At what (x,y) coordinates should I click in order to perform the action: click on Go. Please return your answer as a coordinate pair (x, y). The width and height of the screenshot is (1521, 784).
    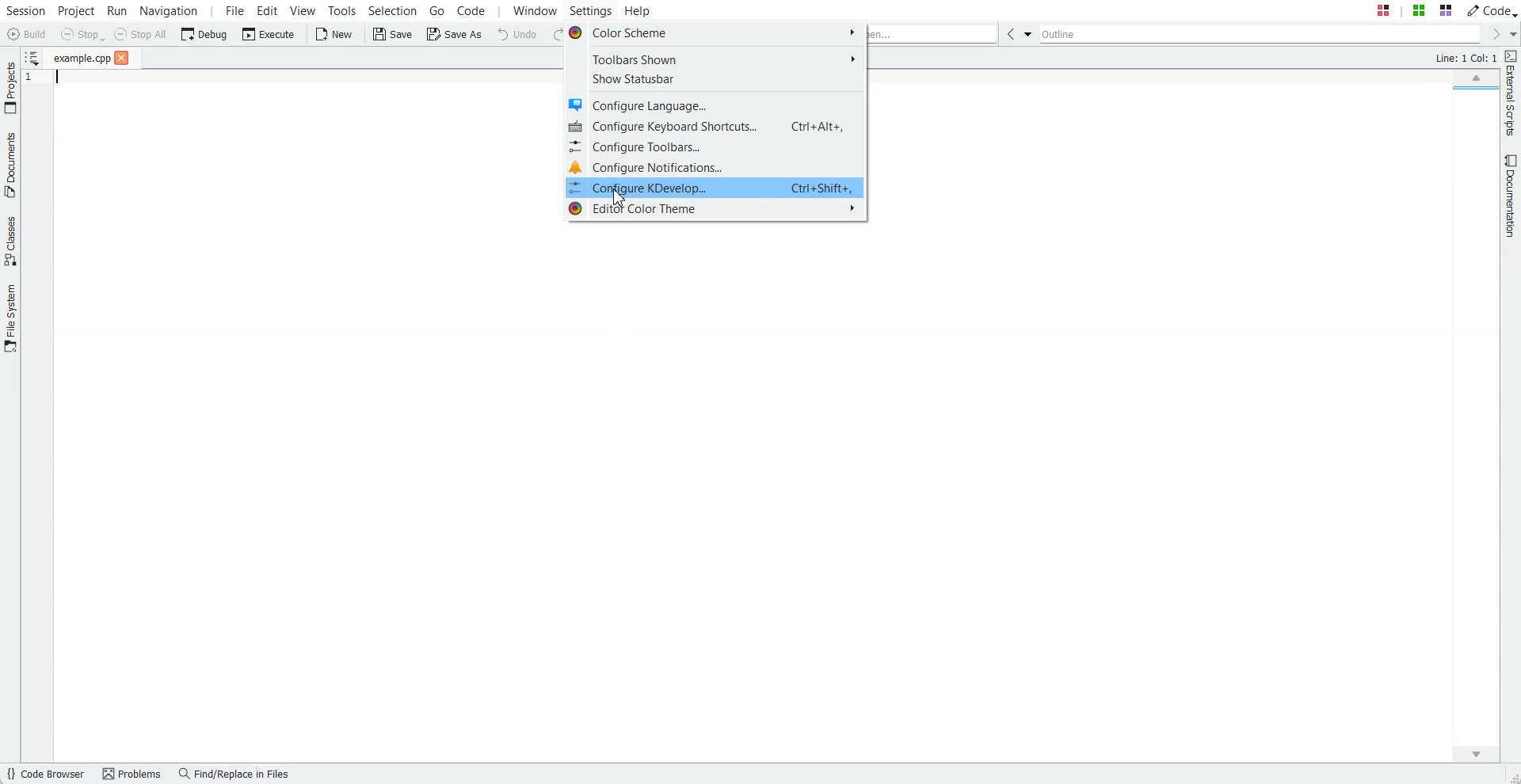
    Looking at the image, I should click on (437, 10).